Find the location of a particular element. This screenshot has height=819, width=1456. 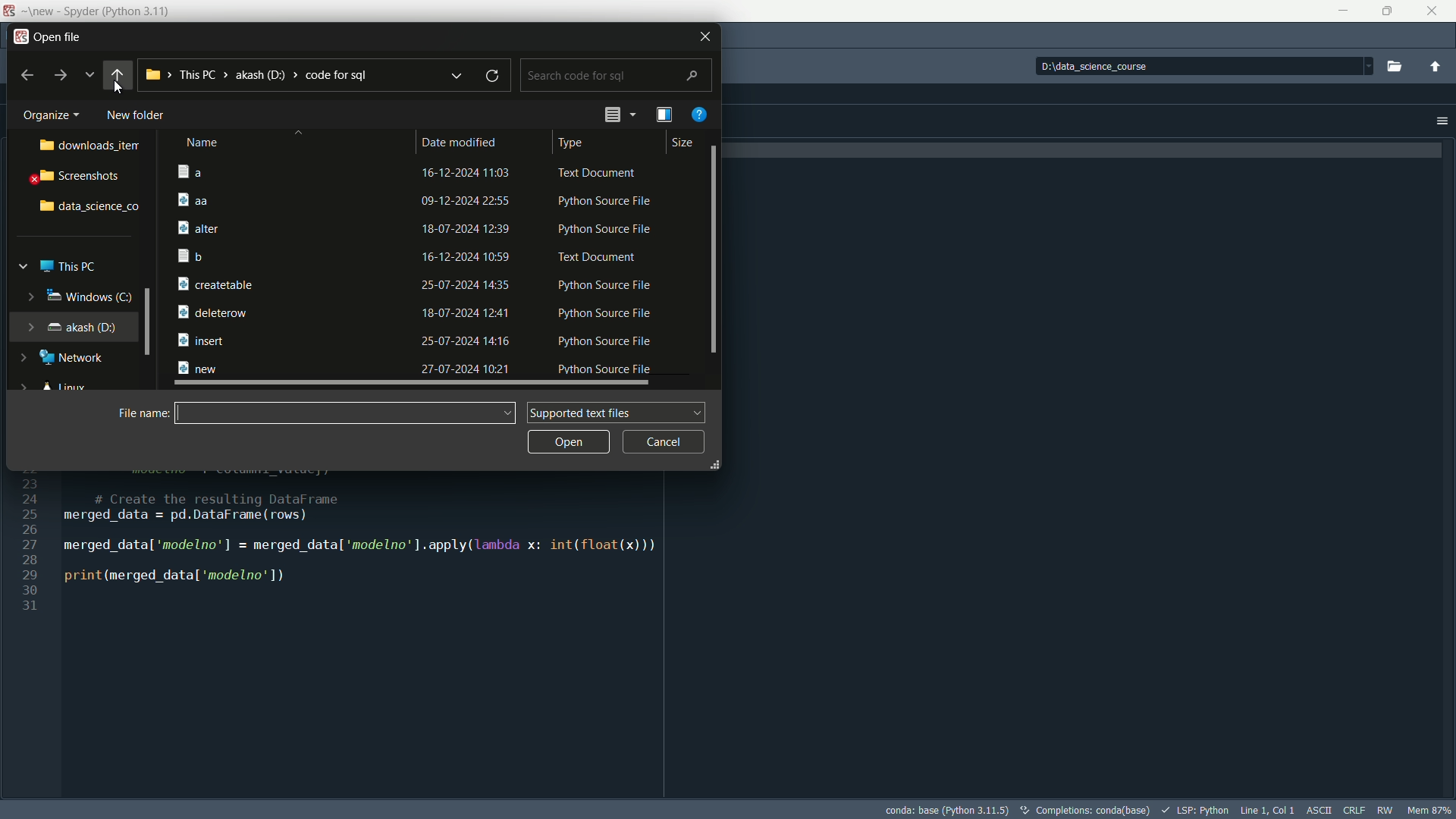

expand is located at coordinates (25, 357).